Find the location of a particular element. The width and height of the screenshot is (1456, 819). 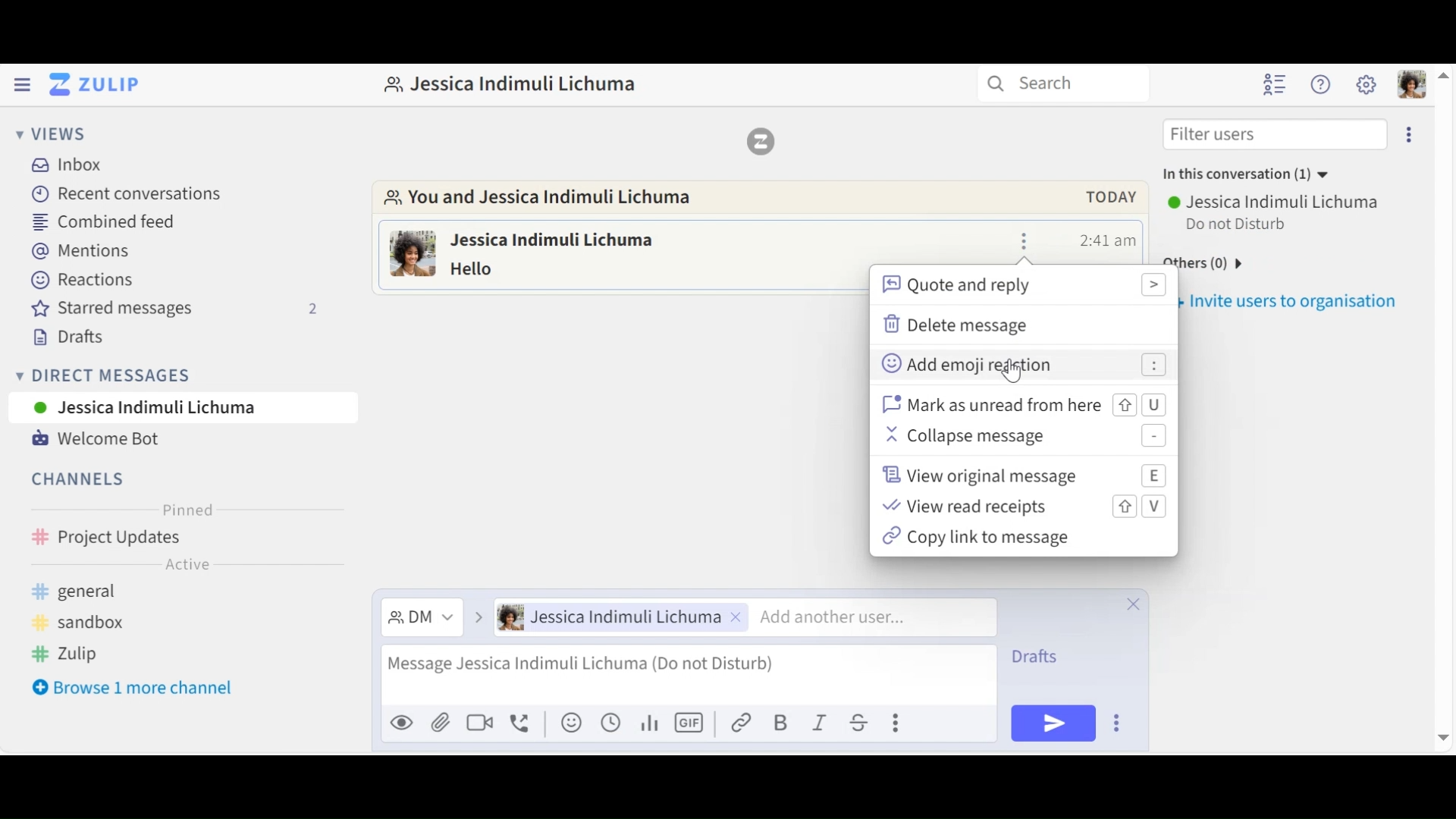

general is located at coordinates (99, 592).